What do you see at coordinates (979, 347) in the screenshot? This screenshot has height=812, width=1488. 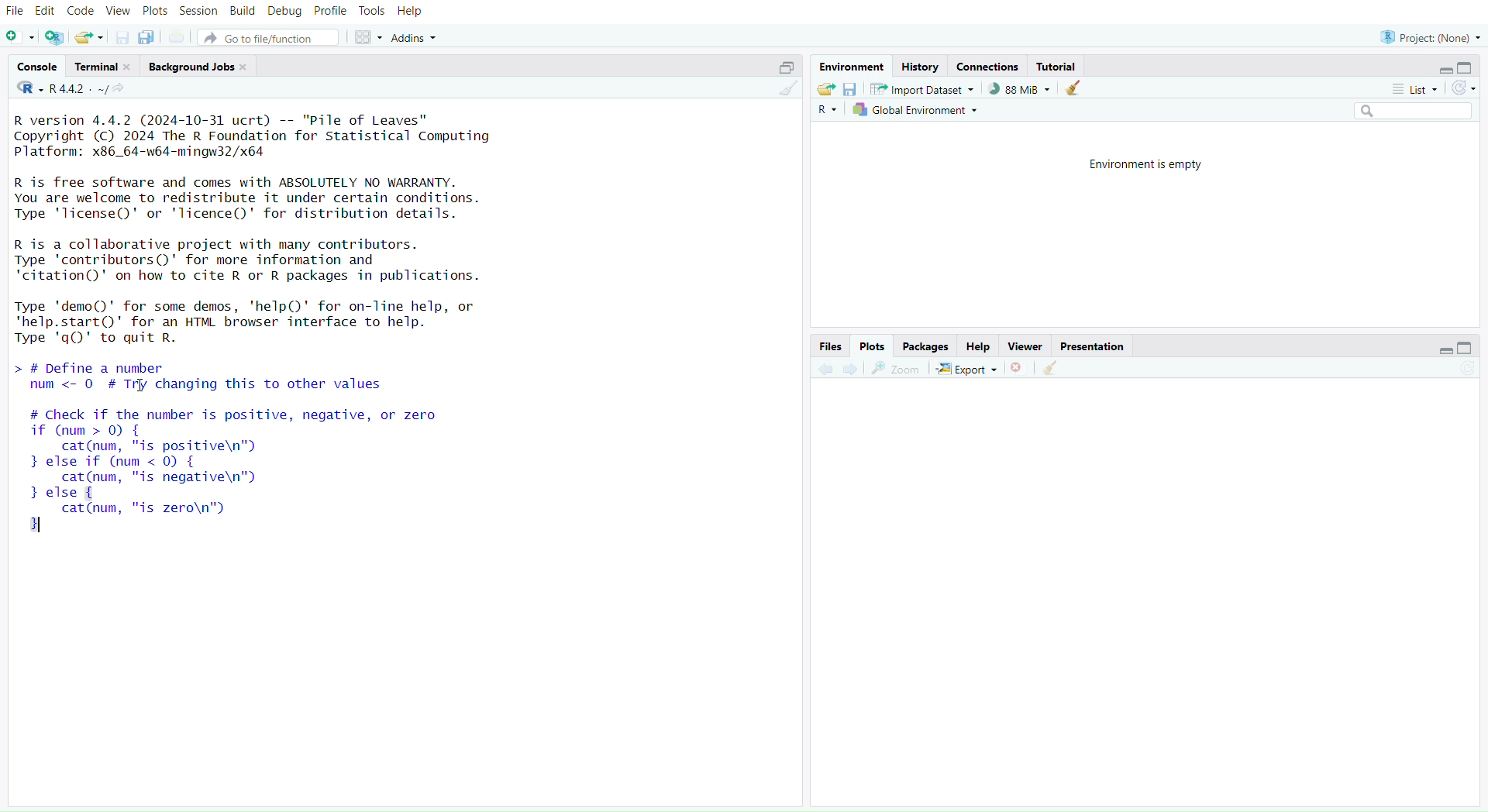 I see `help` at bounding box center [979, 347].